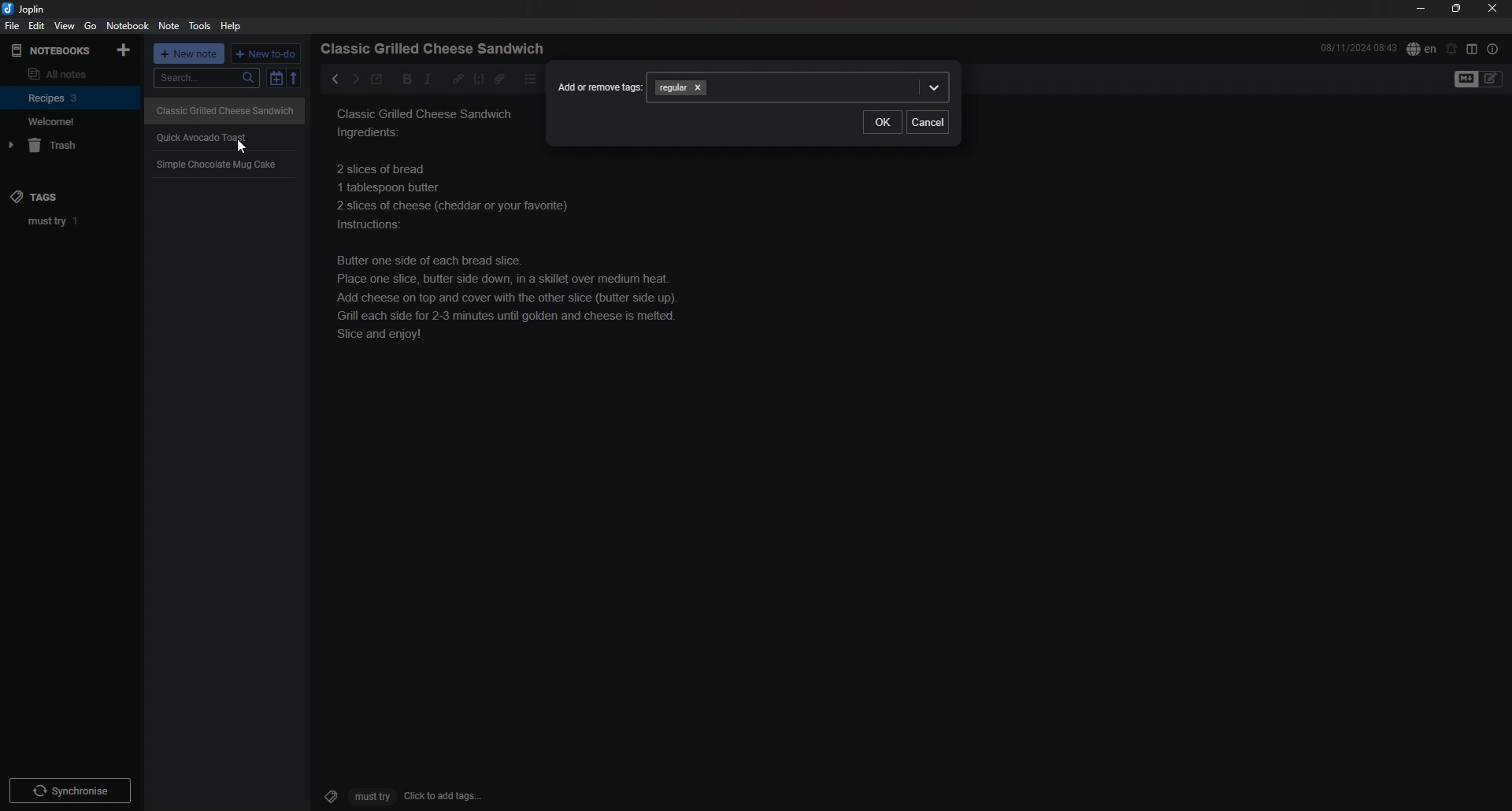 The height and width of the screenshot is (811, 1512). I want to click on add notebook, so click(125, 49).